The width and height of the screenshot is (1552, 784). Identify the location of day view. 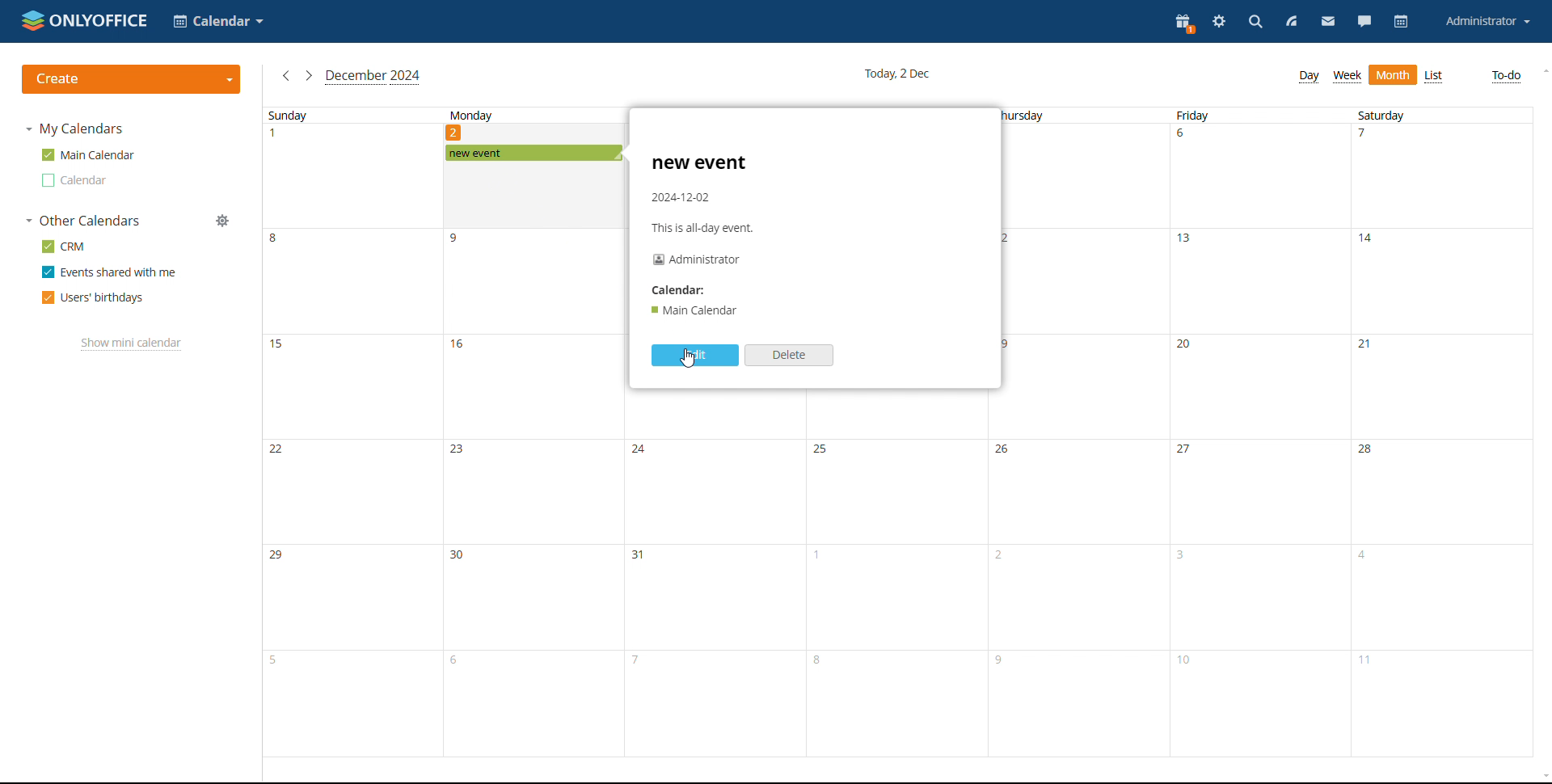
(1309, 77).